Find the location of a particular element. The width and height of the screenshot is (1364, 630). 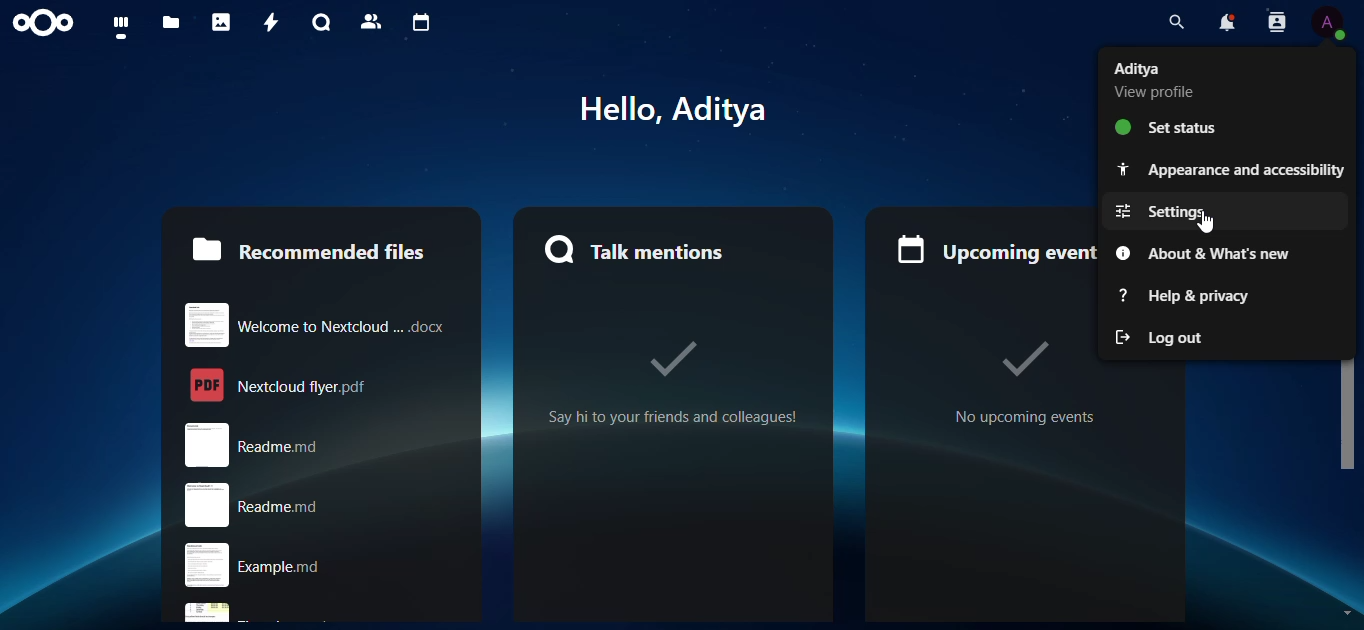

example.rnd is located at coordinates (323, 566).